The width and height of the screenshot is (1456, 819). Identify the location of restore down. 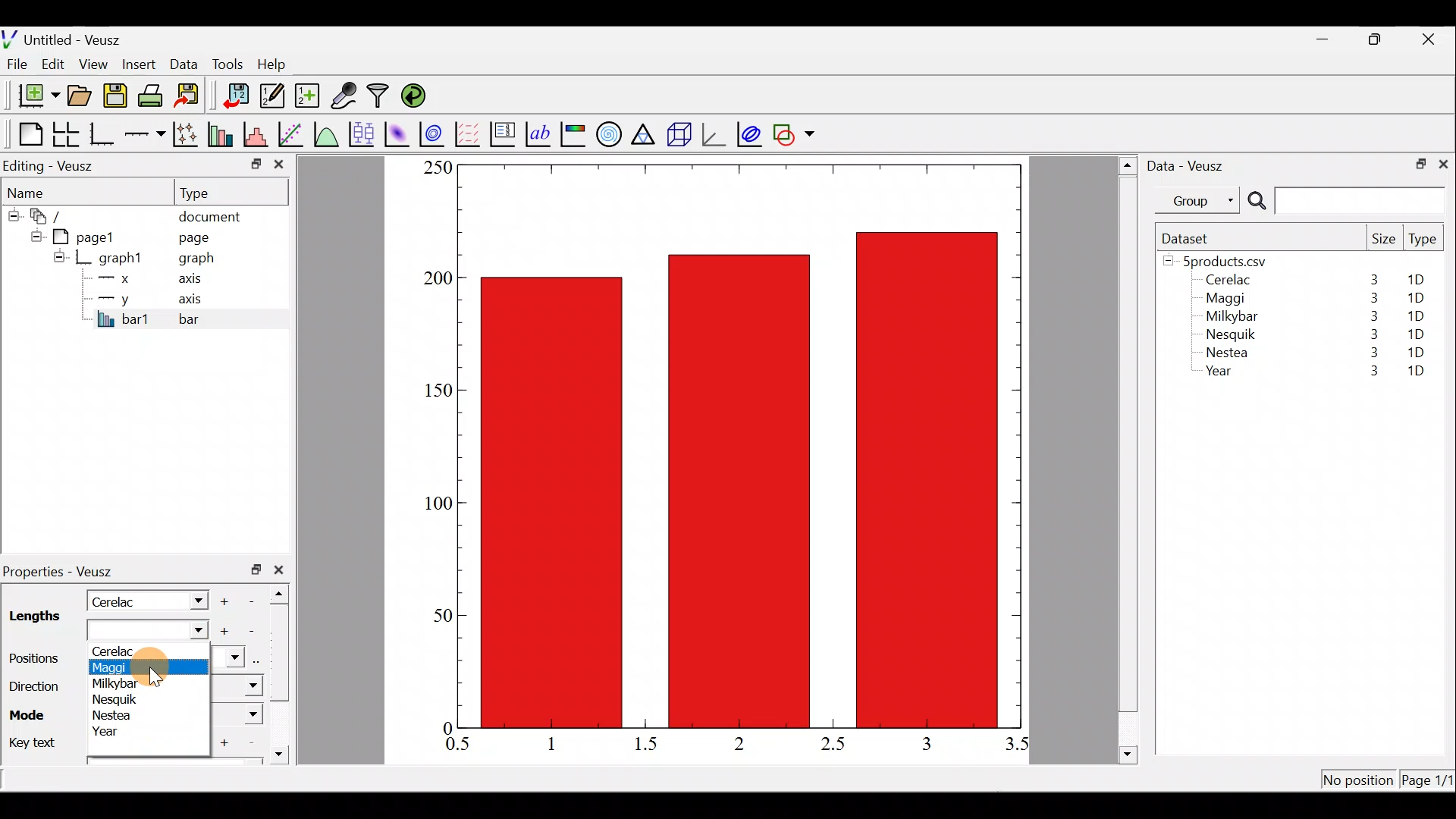
(1377, 39).